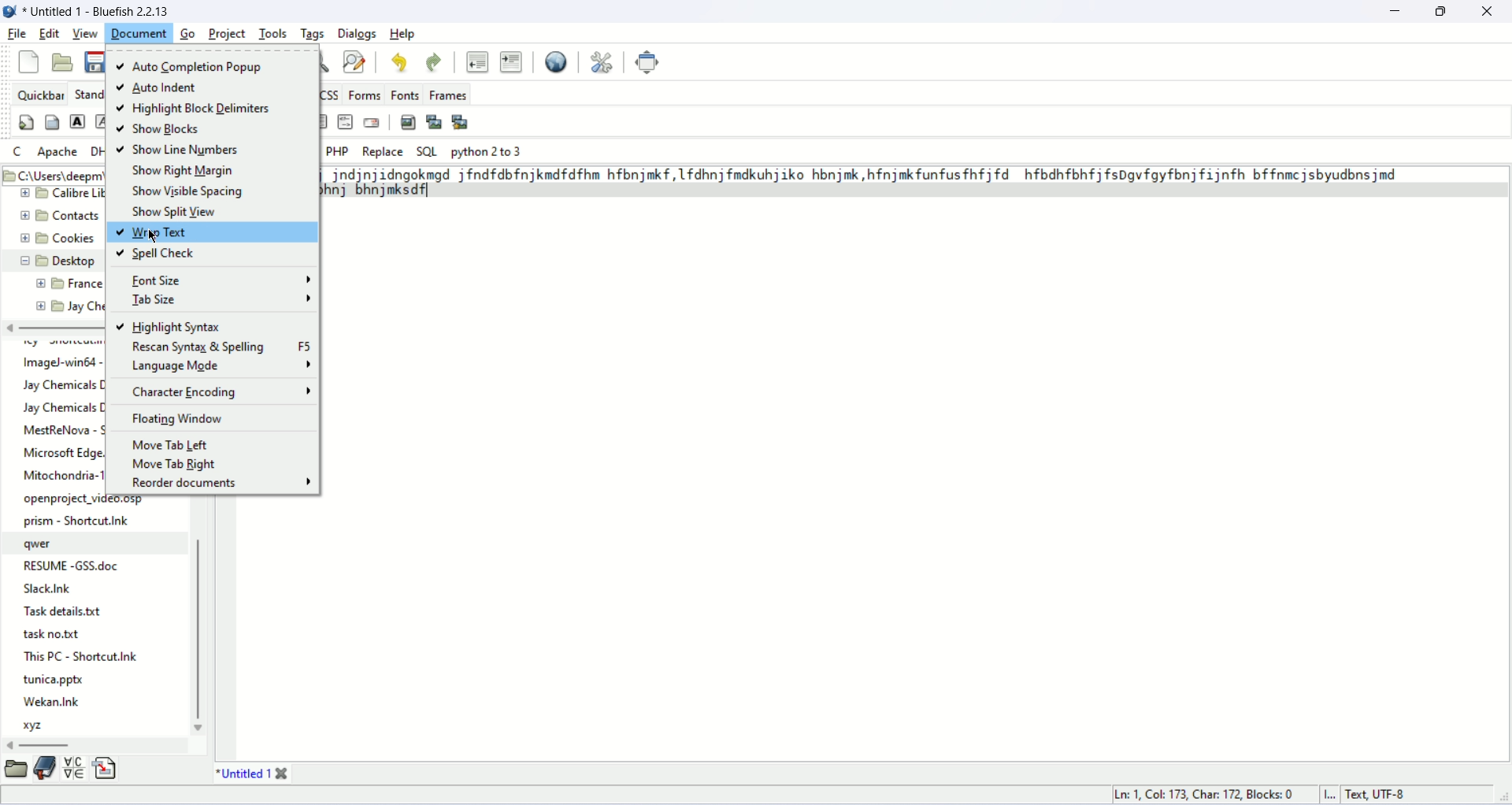 Image resolution: width=1512 pixels, height=805 pixels. Describe the element at coordinates (27, 122) in the screenshot. I see `quickstart` at that location.